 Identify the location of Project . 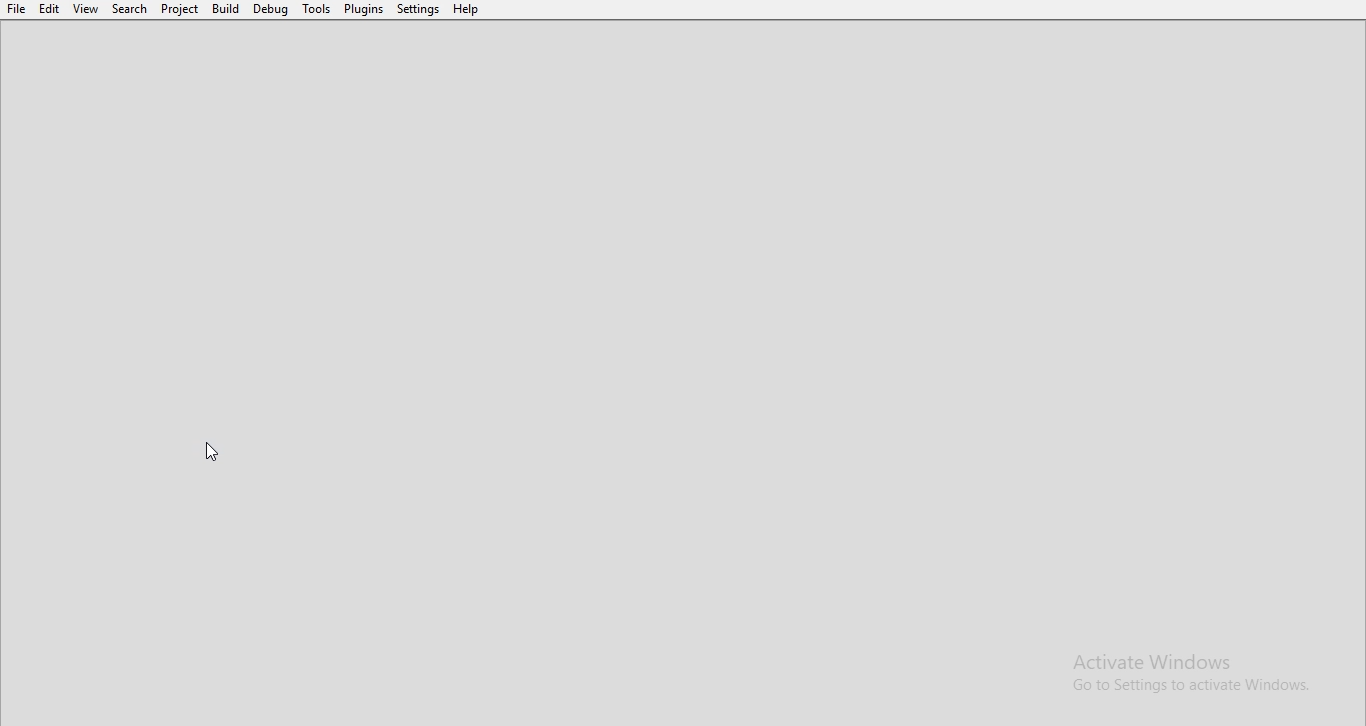
(181, 9).